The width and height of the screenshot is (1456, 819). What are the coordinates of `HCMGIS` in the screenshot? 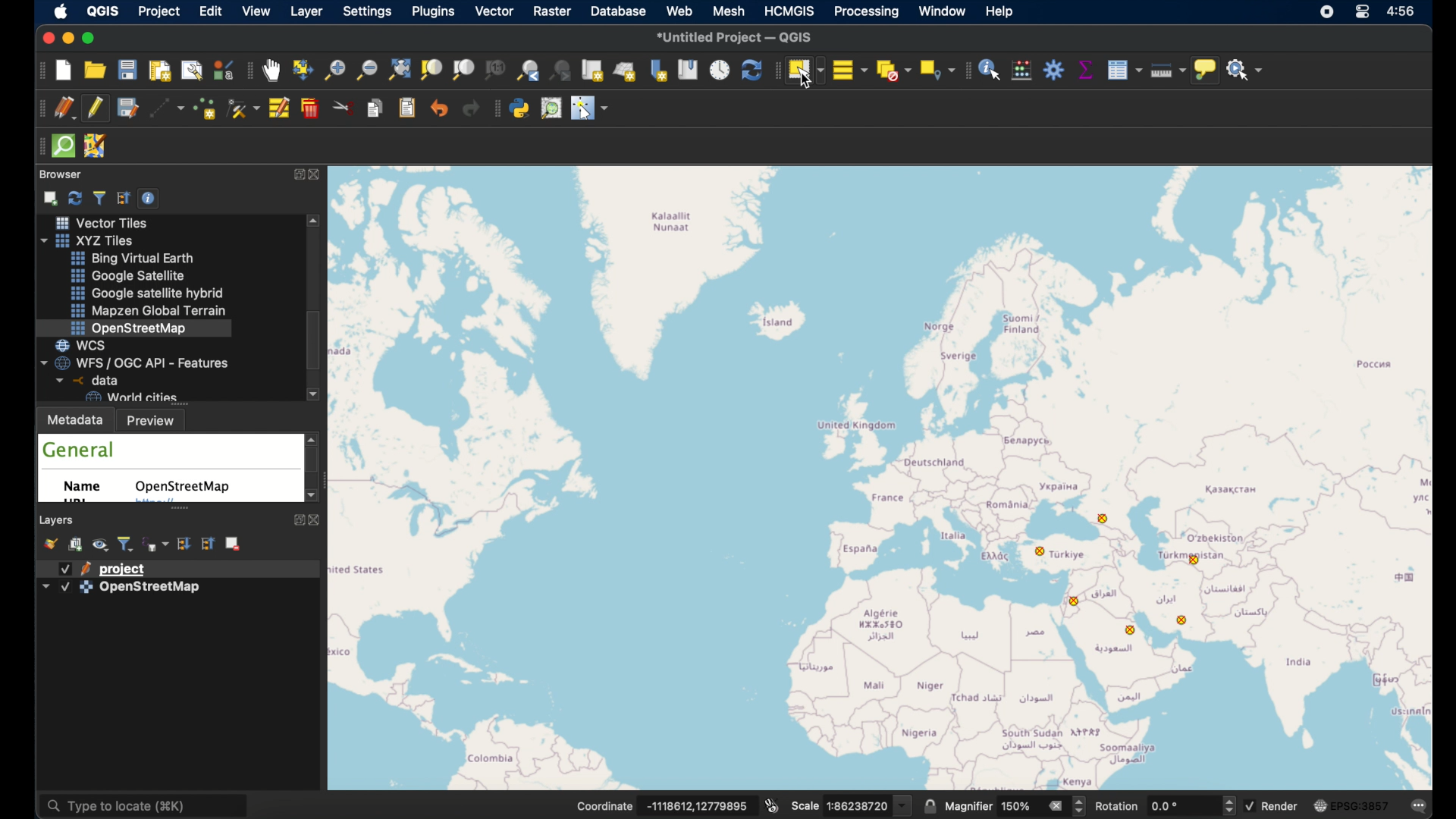 It's located at (789, 11).